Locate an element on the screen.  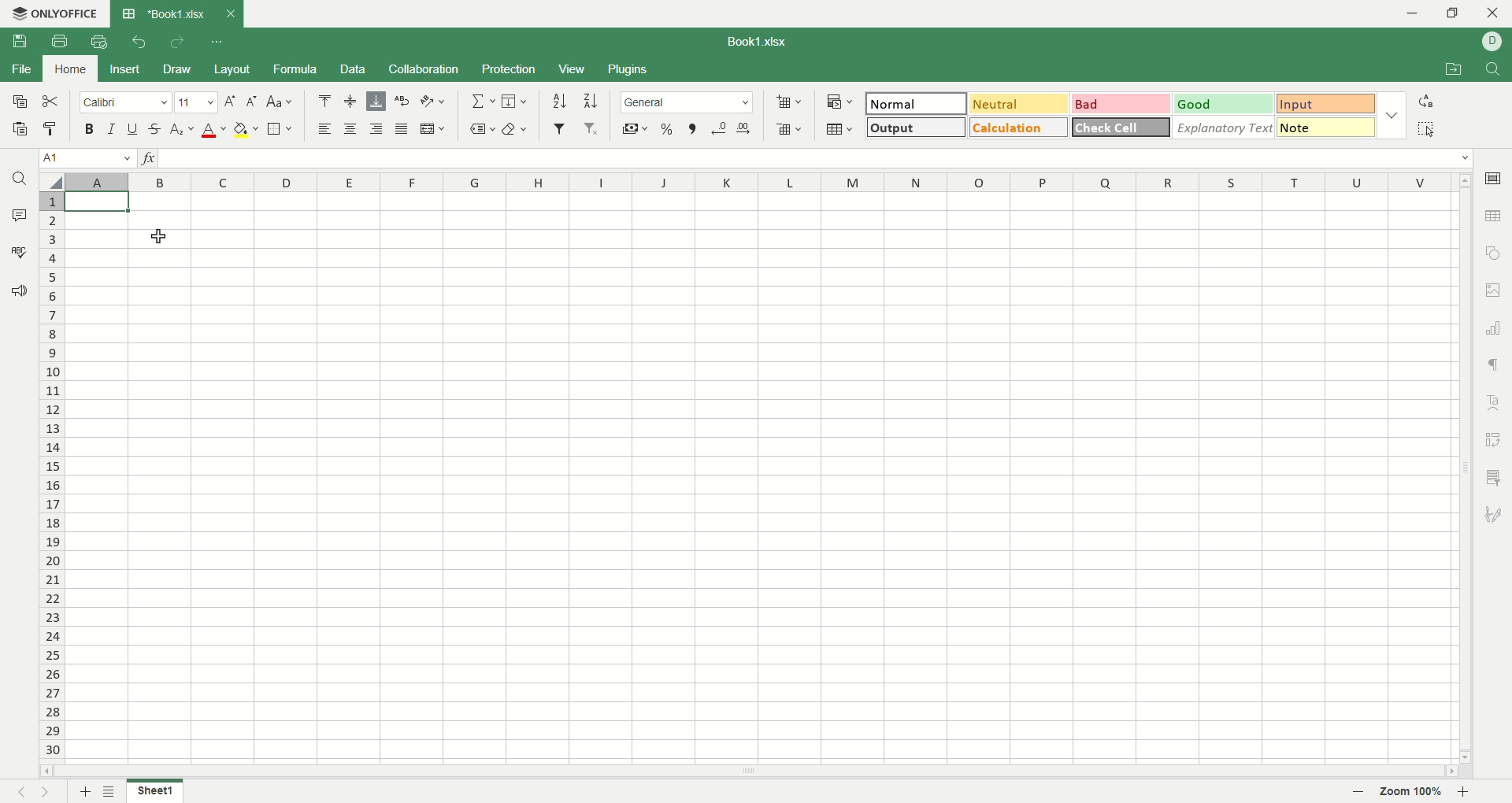
input line is located at coordinates (816, 159).